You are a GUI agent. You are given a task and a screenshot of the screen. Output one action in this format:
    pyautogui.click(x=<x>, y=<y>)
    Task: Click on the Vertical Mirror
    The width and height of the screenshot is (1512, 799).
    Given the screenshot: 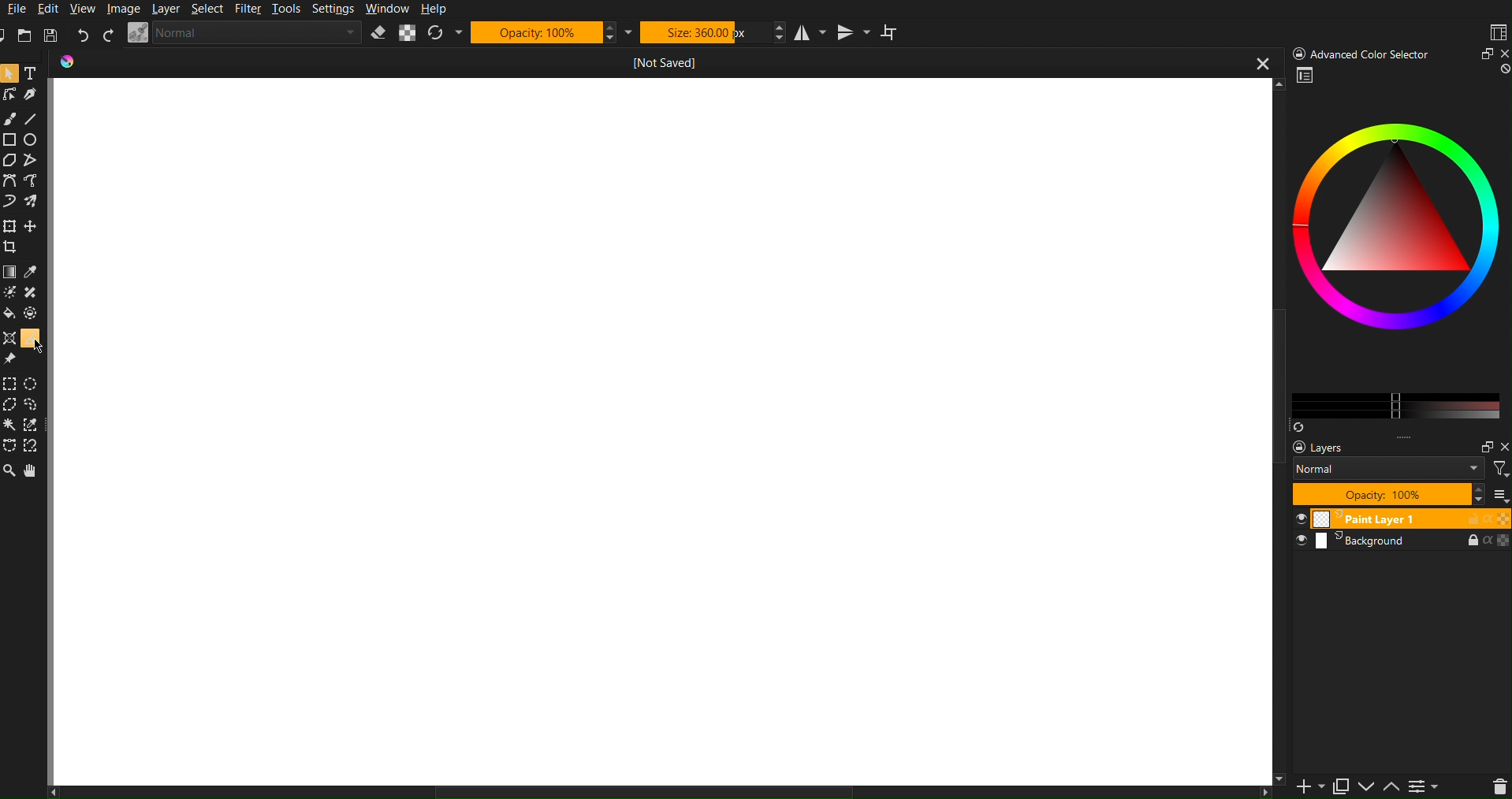 What is the action you would take?
    pyautogui.click(x=851, y=33)
    